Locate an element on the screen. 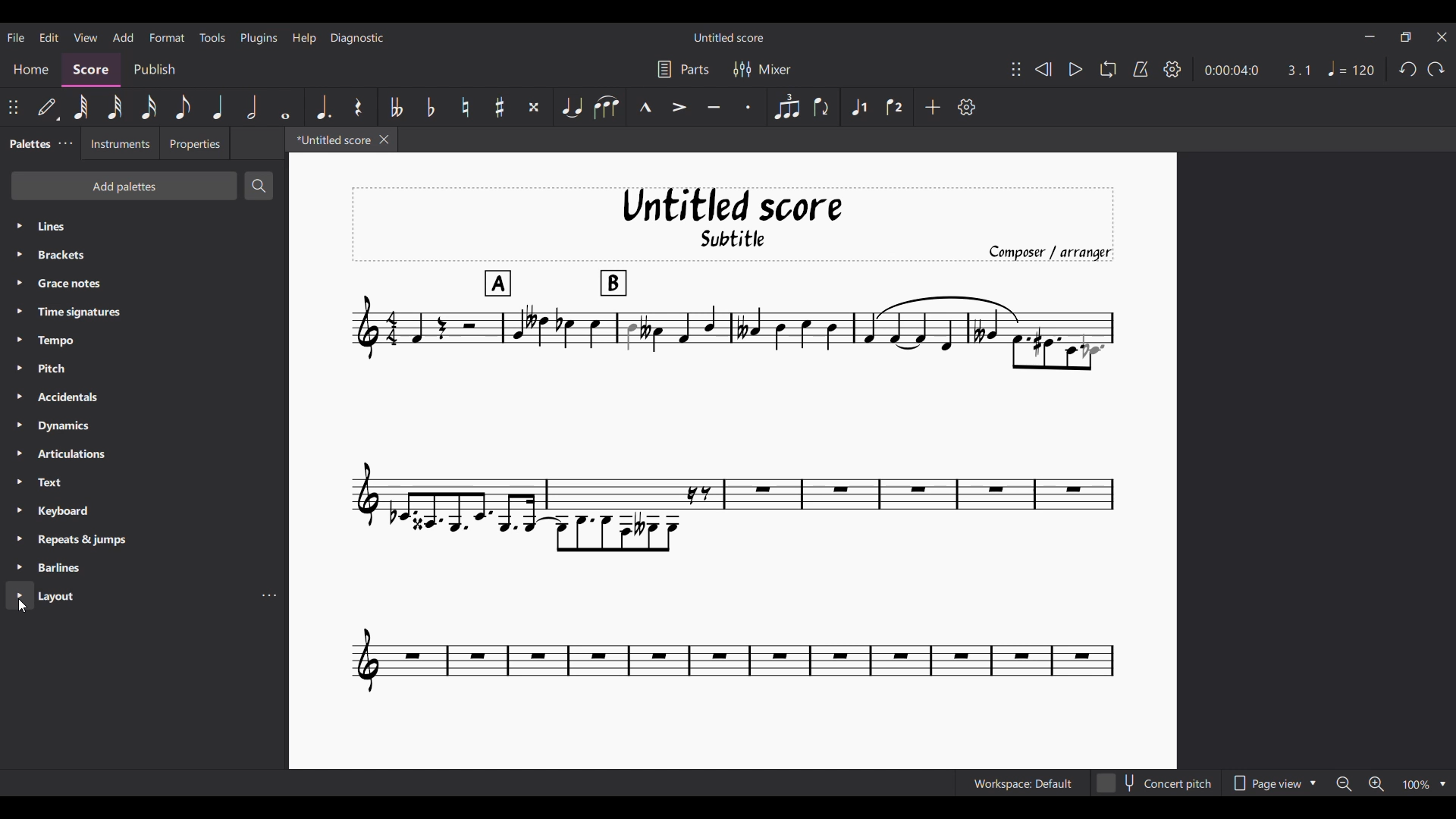 This screenshot has height=819, width=1456. Parts settings is located at coordinates (684, 69).